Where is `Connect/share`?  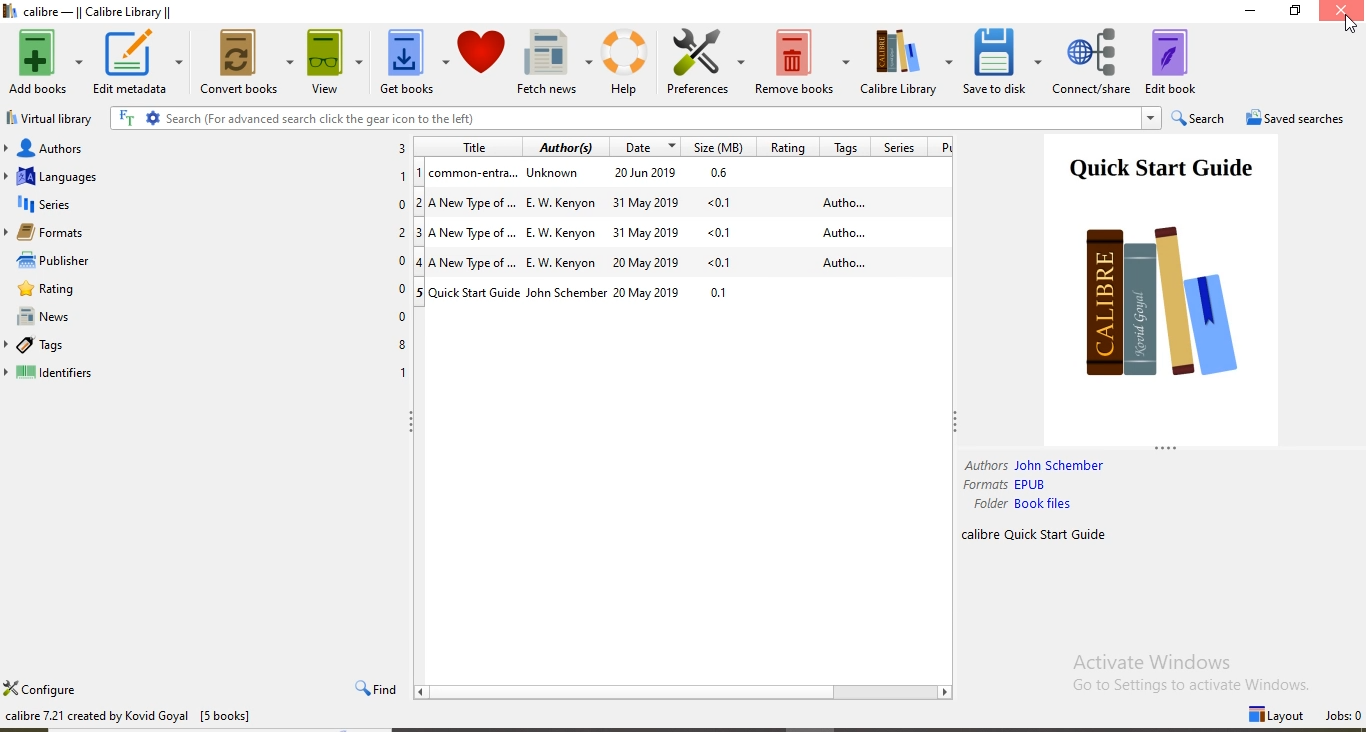
Connect/share is located at coordinates (1092, 63).